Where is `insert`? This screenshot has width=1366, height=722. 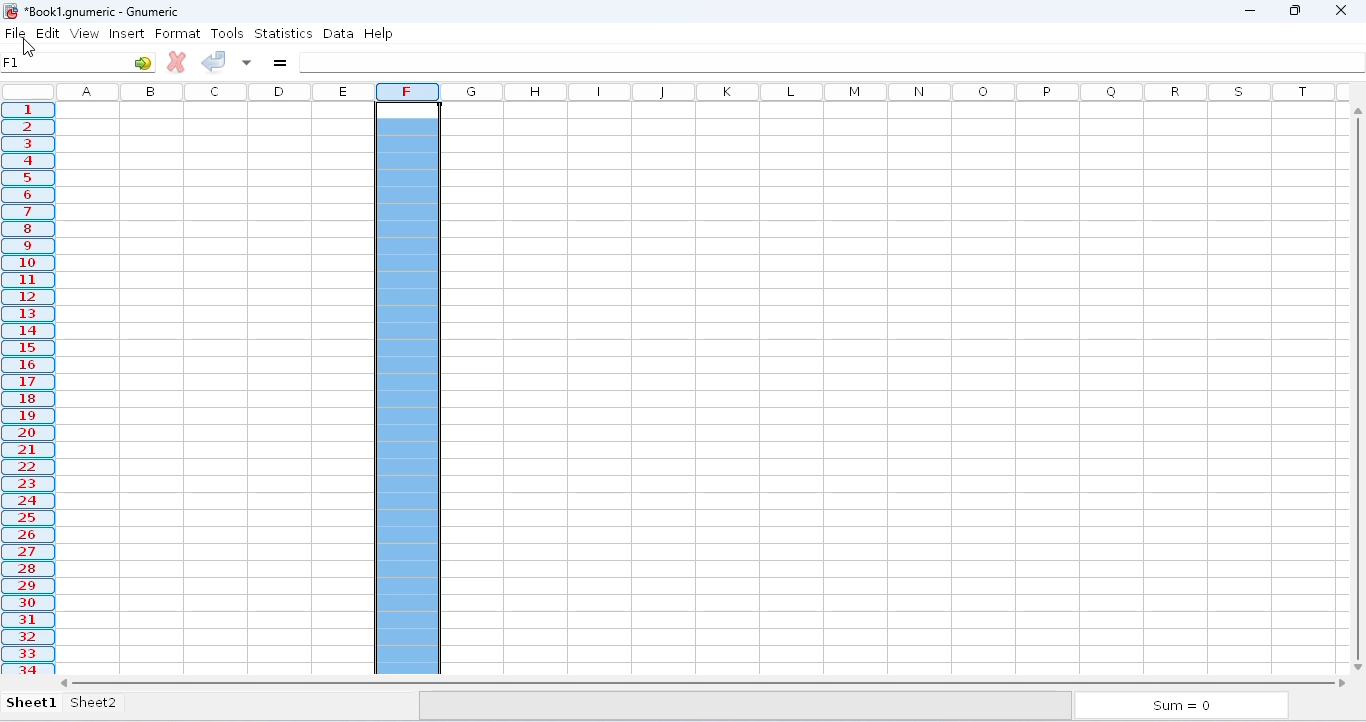
insert is located at coordinates (127, 34).